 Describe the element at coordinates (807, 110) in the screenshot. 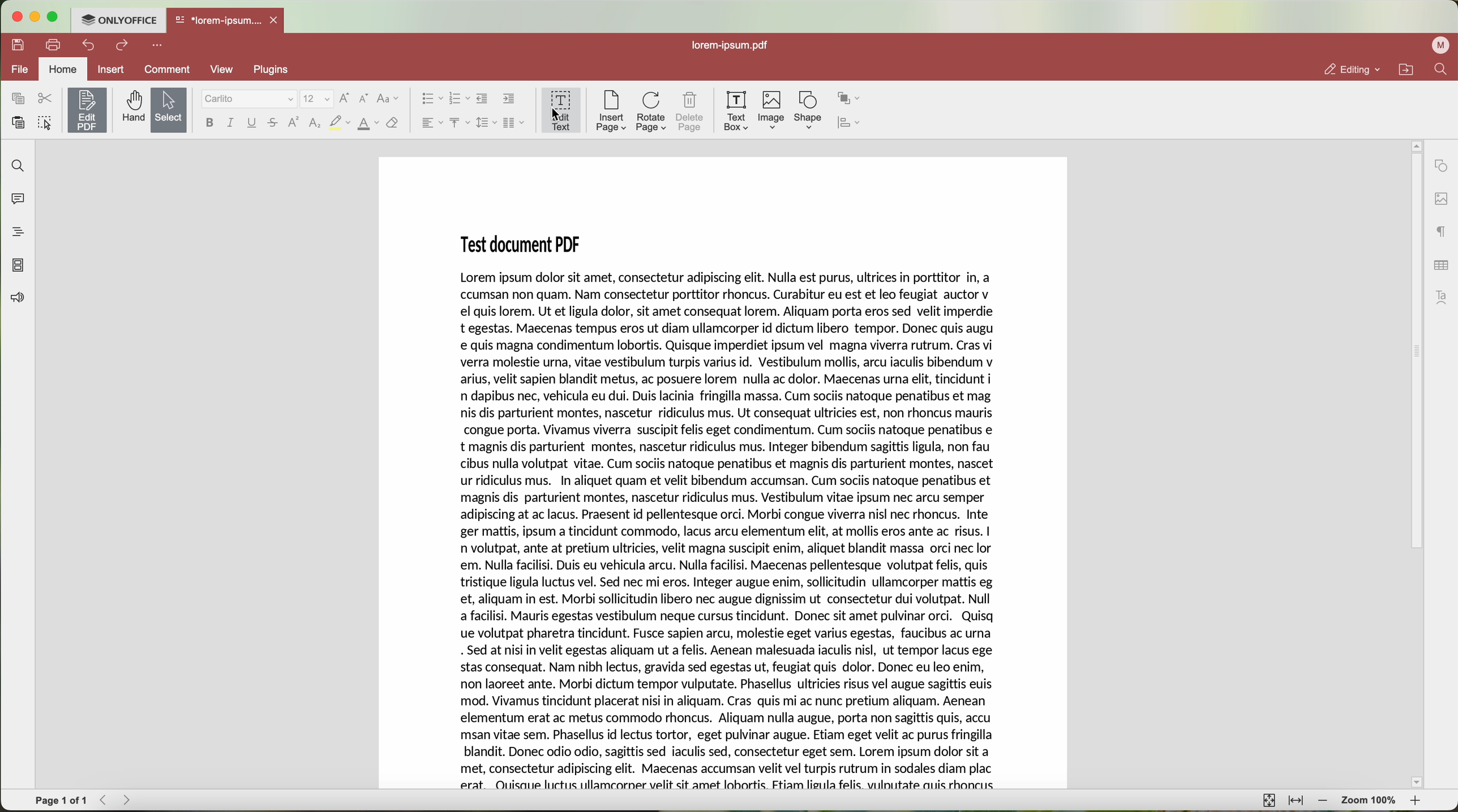

I see `shape` at that location.